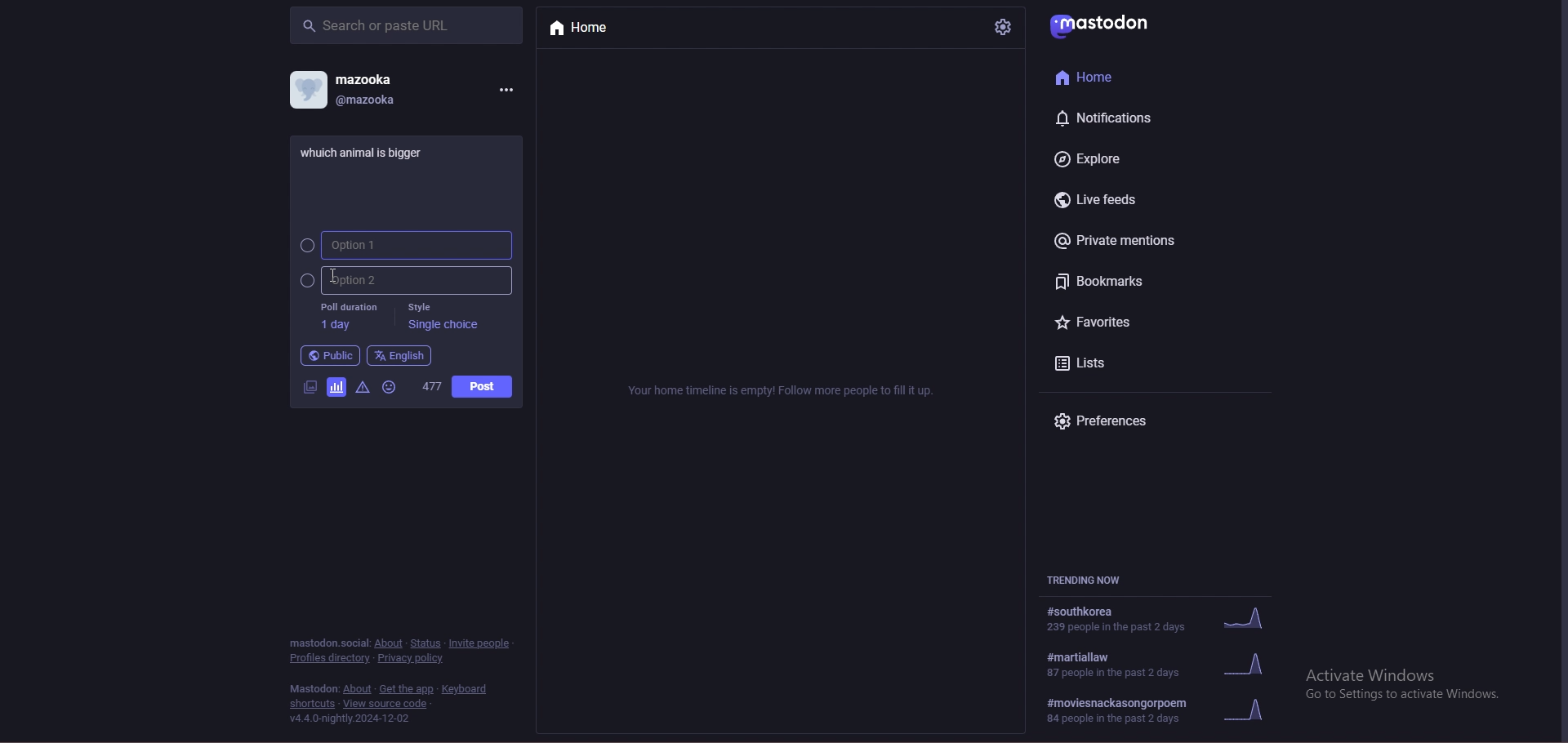  I want to click on word limit, so click(430, 387).